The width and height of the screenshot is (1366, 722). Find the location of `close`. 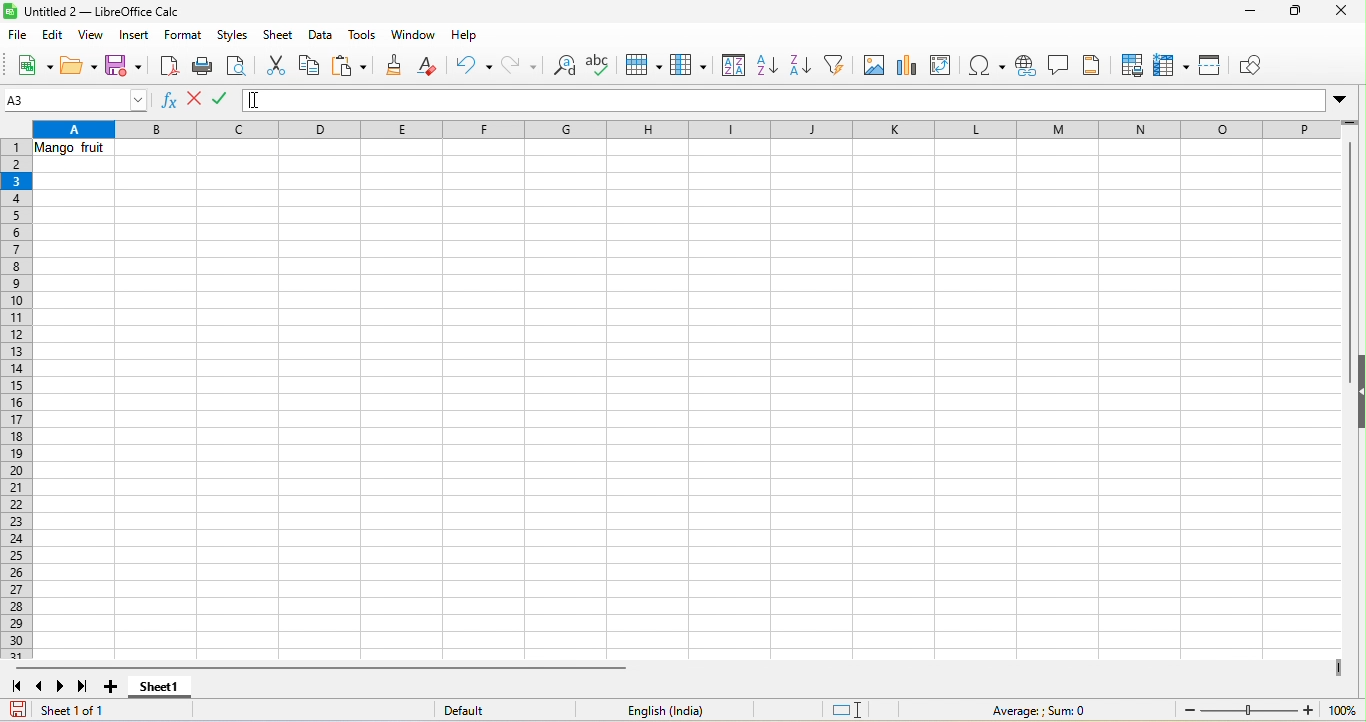

close is located at coordinates (1337, 15).